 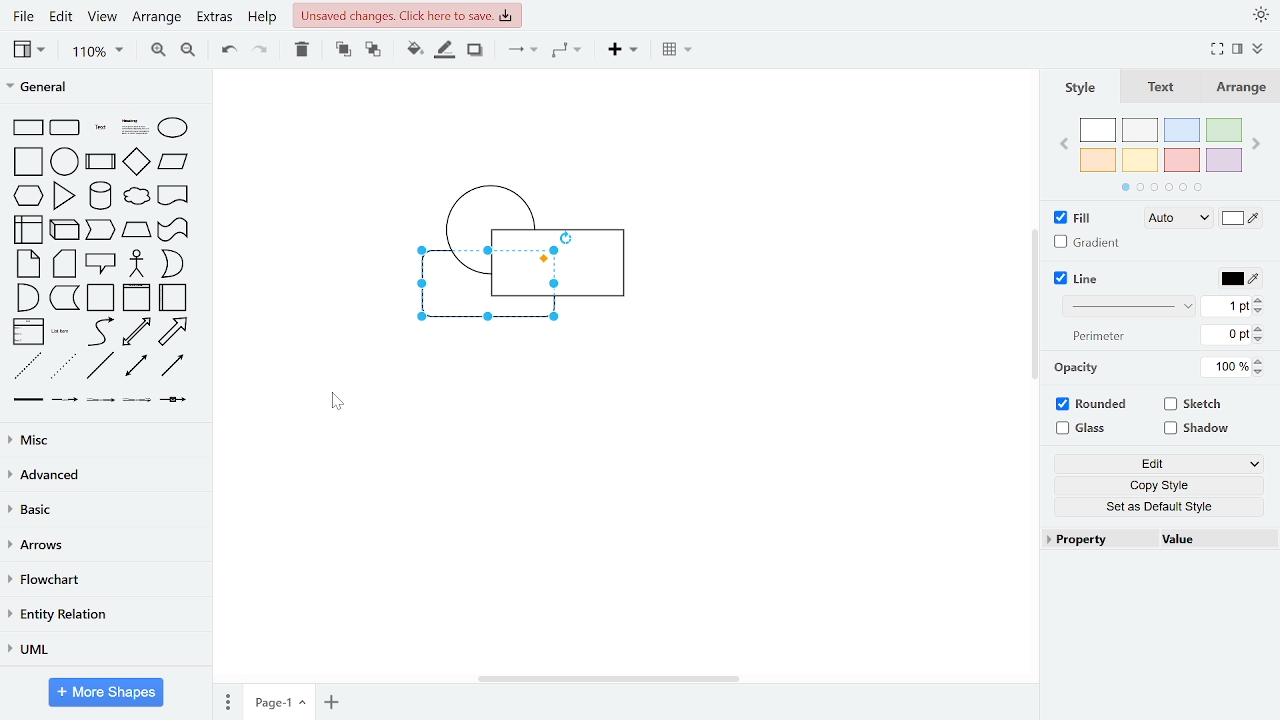 I want to click on container, so click(x=101, y=298).